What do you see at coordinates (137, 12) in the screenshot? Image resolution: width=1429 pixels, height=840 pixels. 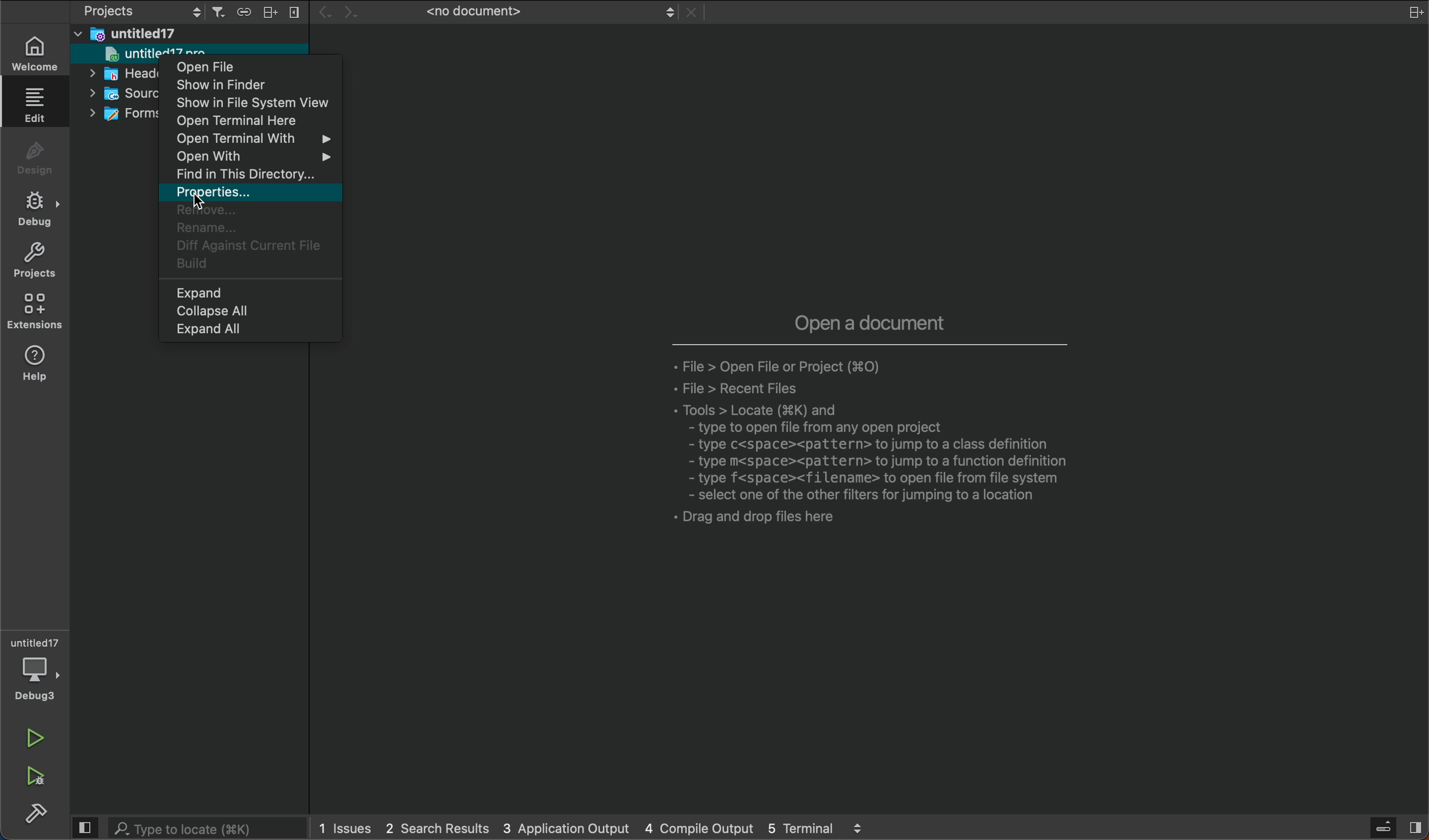 I see `switch project` at bounding box center [137, 12].